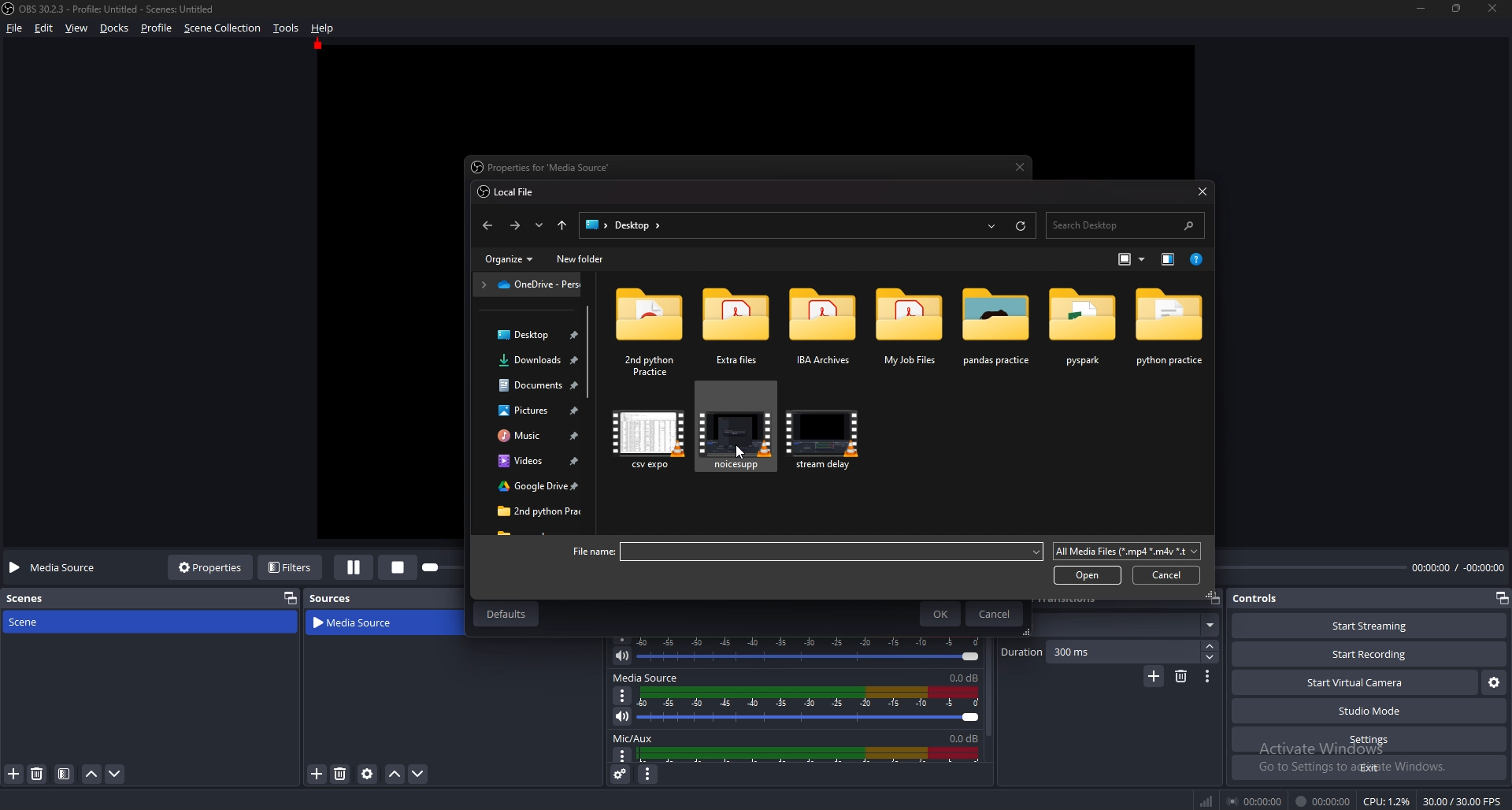  What do you see at coordinates (1212, 646) in the screenshot?
I see `Increase duration` at bounding box center [1212, 646].